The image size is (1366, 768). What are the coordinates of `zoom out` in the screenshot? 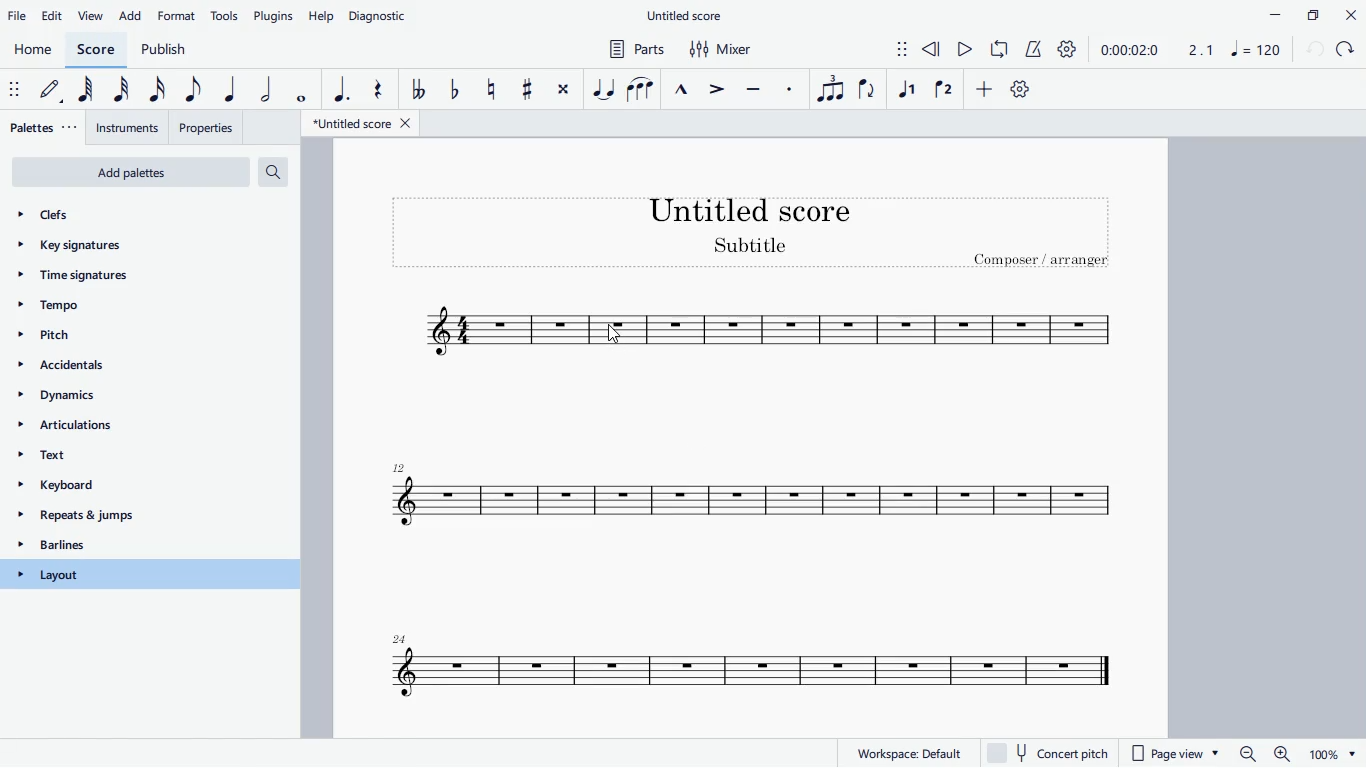 It's located at (1247, 754).